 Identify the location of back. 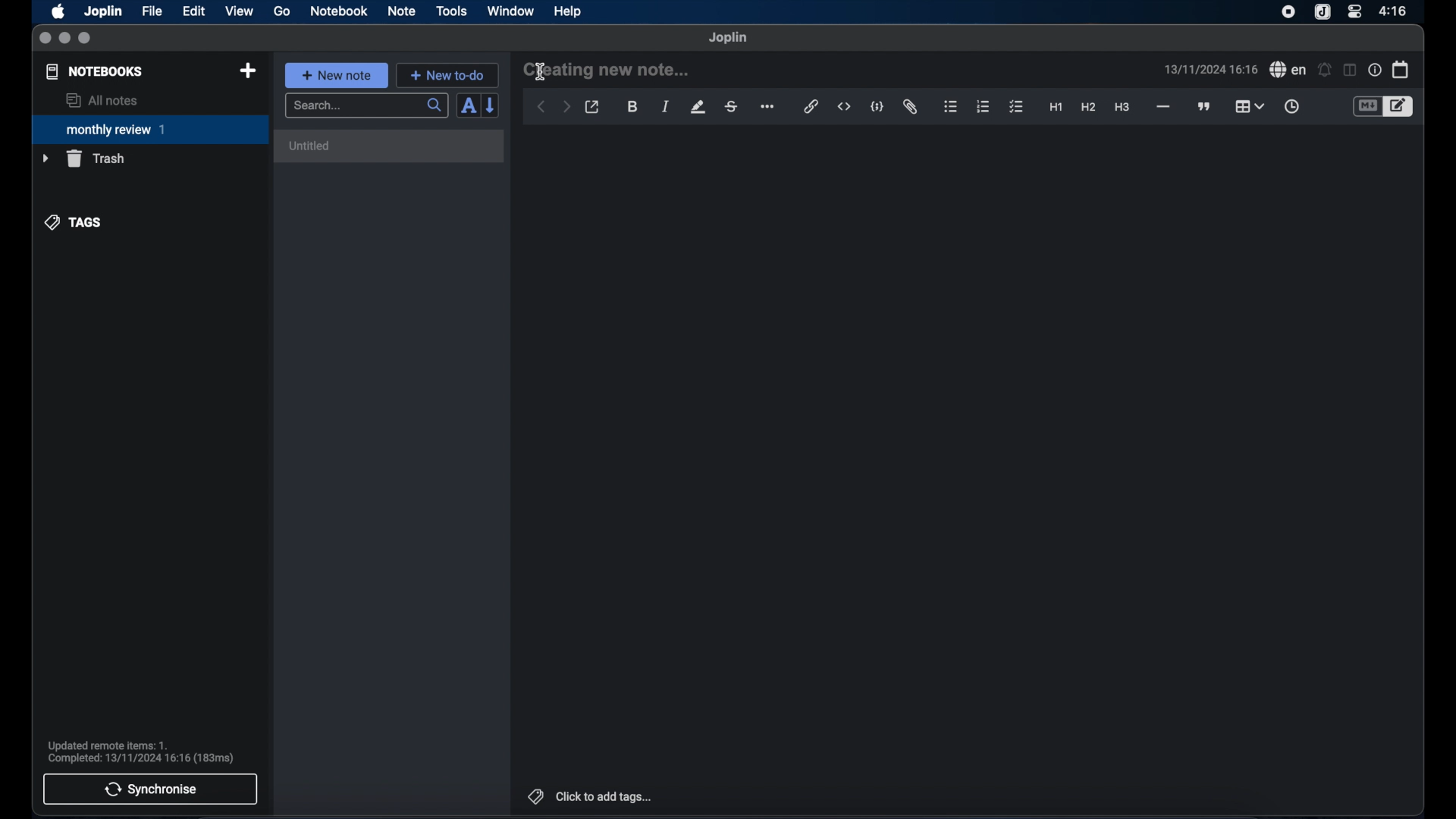
(541, 107).